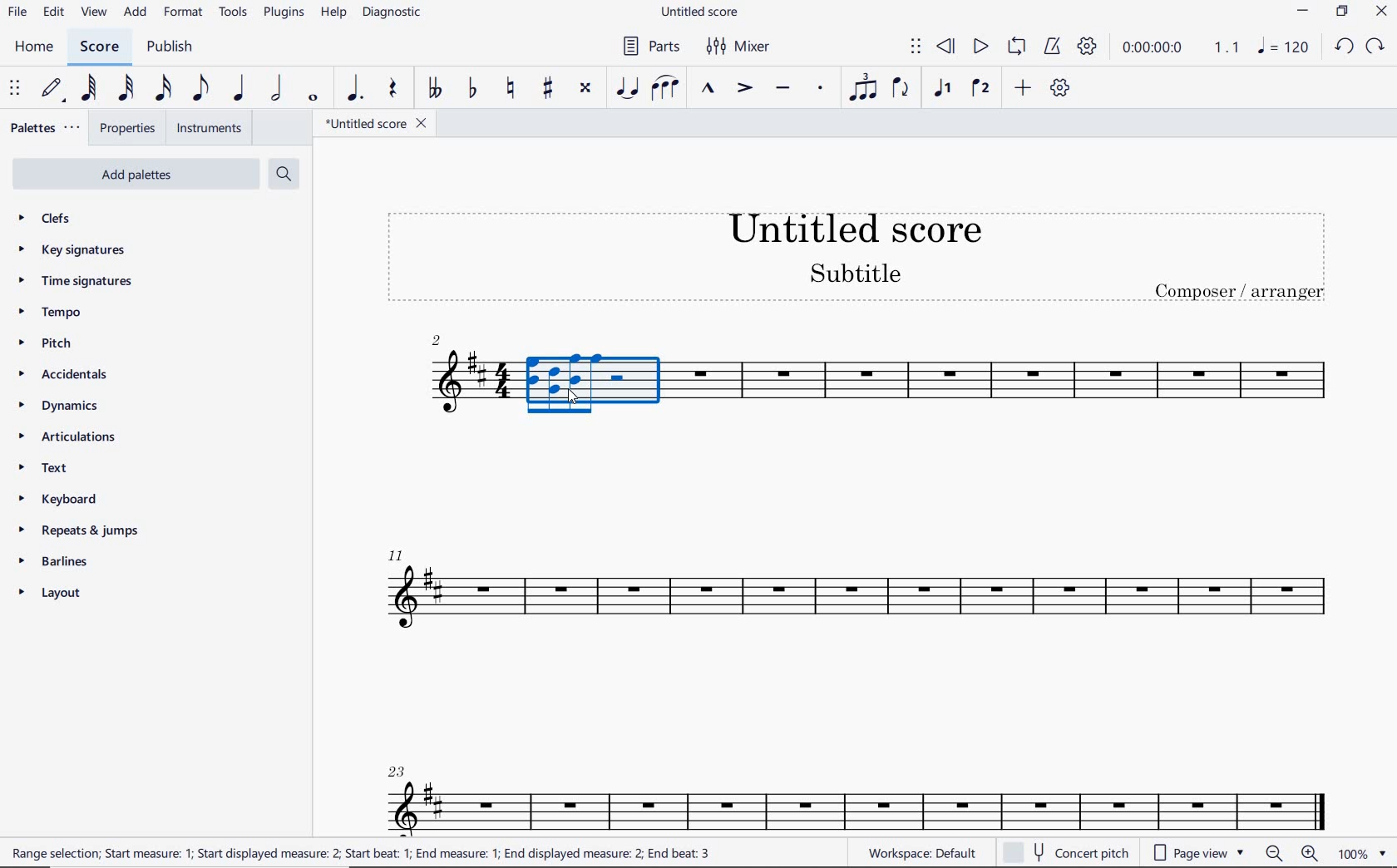 Image resolution: width=1397 pixels, height=868 pixels. Describe the element at coordinates (901, 90) in the screenshot. I see `FLIP DIRECTION` at that location.